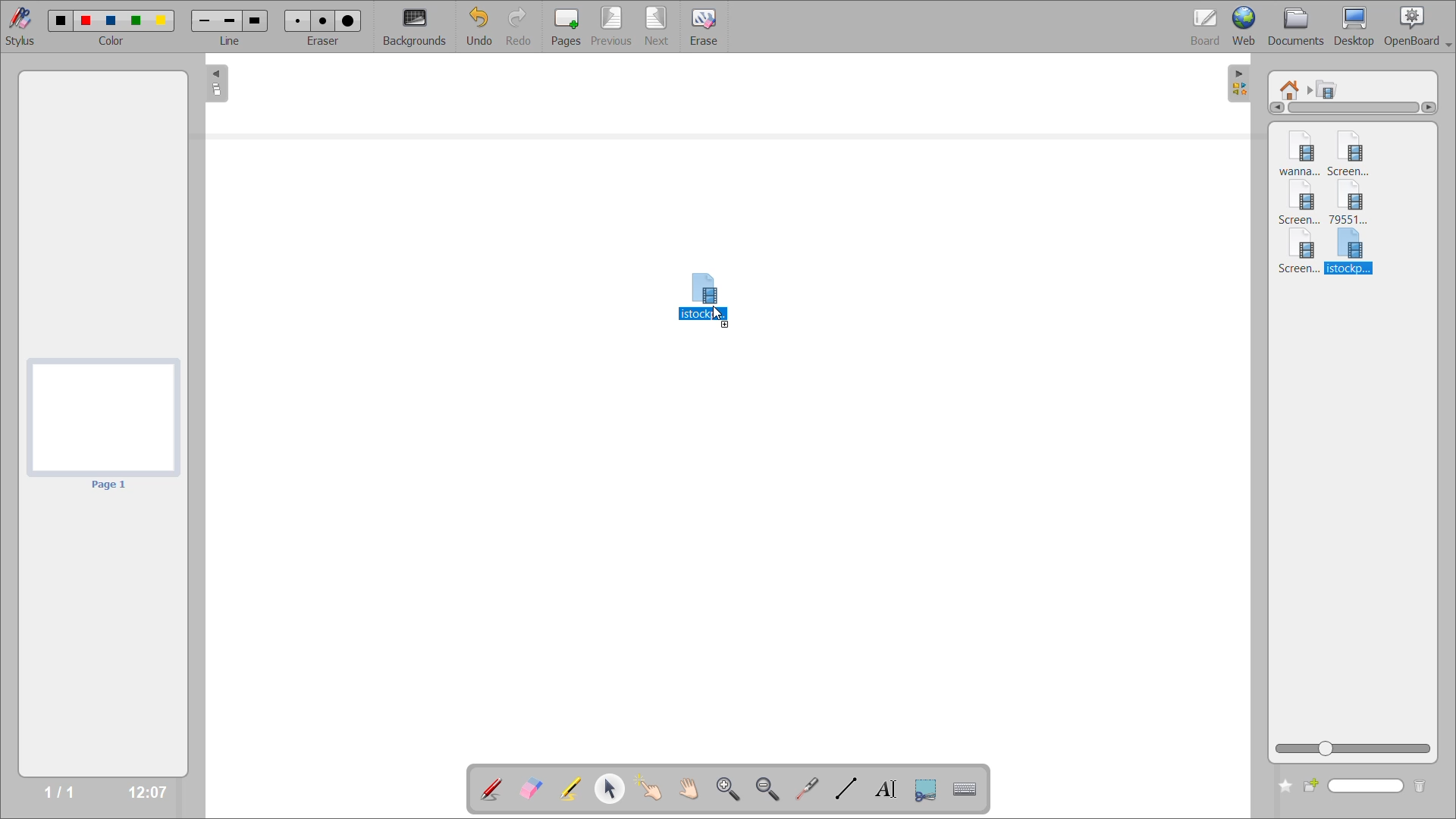 This screenshot has height=819, width=1456. Describe the element at coordinates (1357, 151) in the screenshot. I see `video 2` at that location.